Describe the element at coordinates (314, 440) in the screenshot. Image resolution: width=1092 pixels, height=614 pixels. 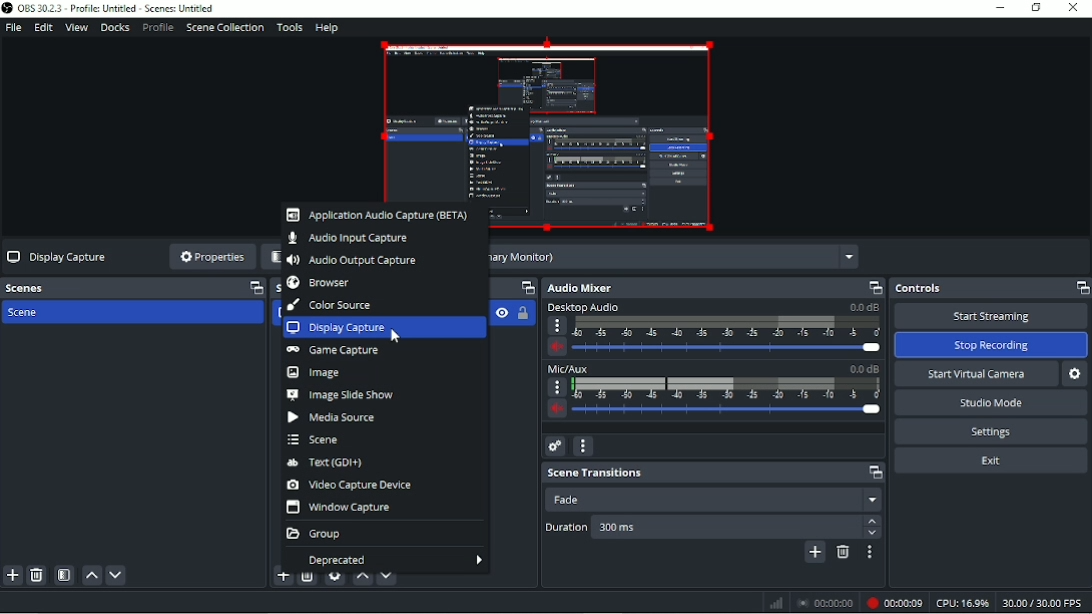
I see `Scene` at that location.